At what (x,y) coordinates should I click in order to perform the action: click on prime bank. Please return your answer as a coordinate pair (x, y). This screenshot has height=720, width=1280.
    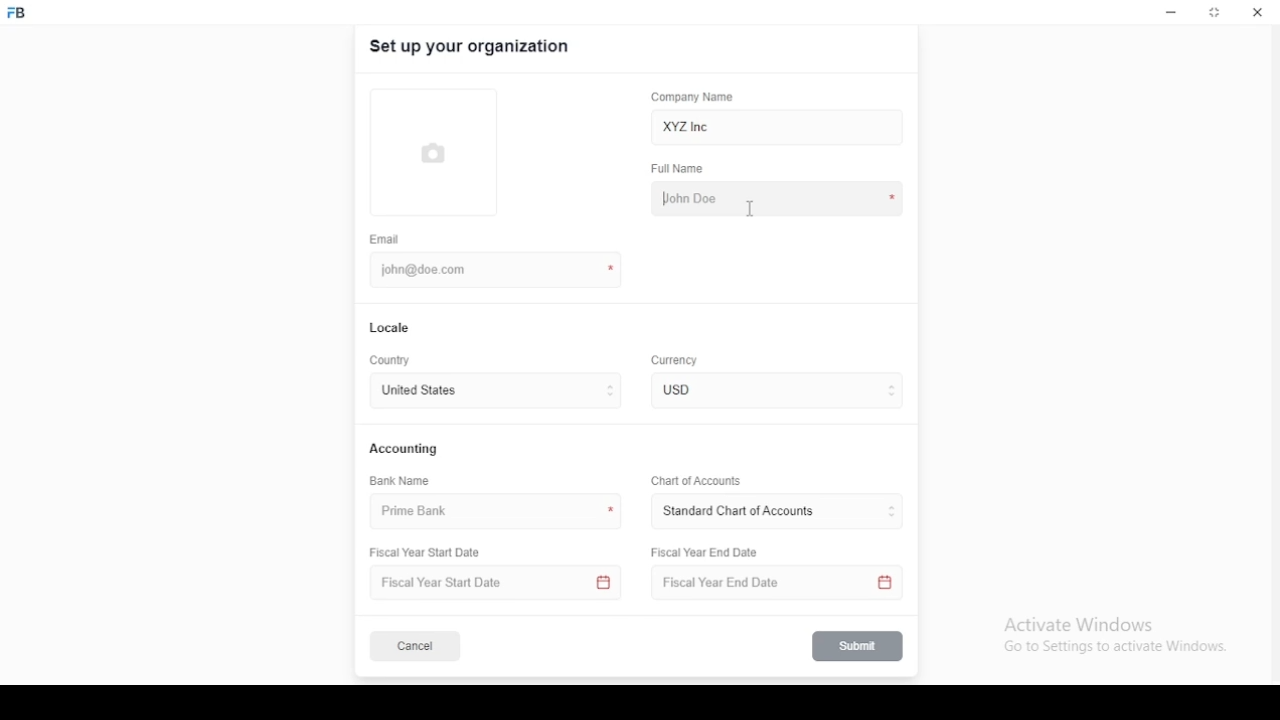
    Looking at the image, I should click on (423, 512).